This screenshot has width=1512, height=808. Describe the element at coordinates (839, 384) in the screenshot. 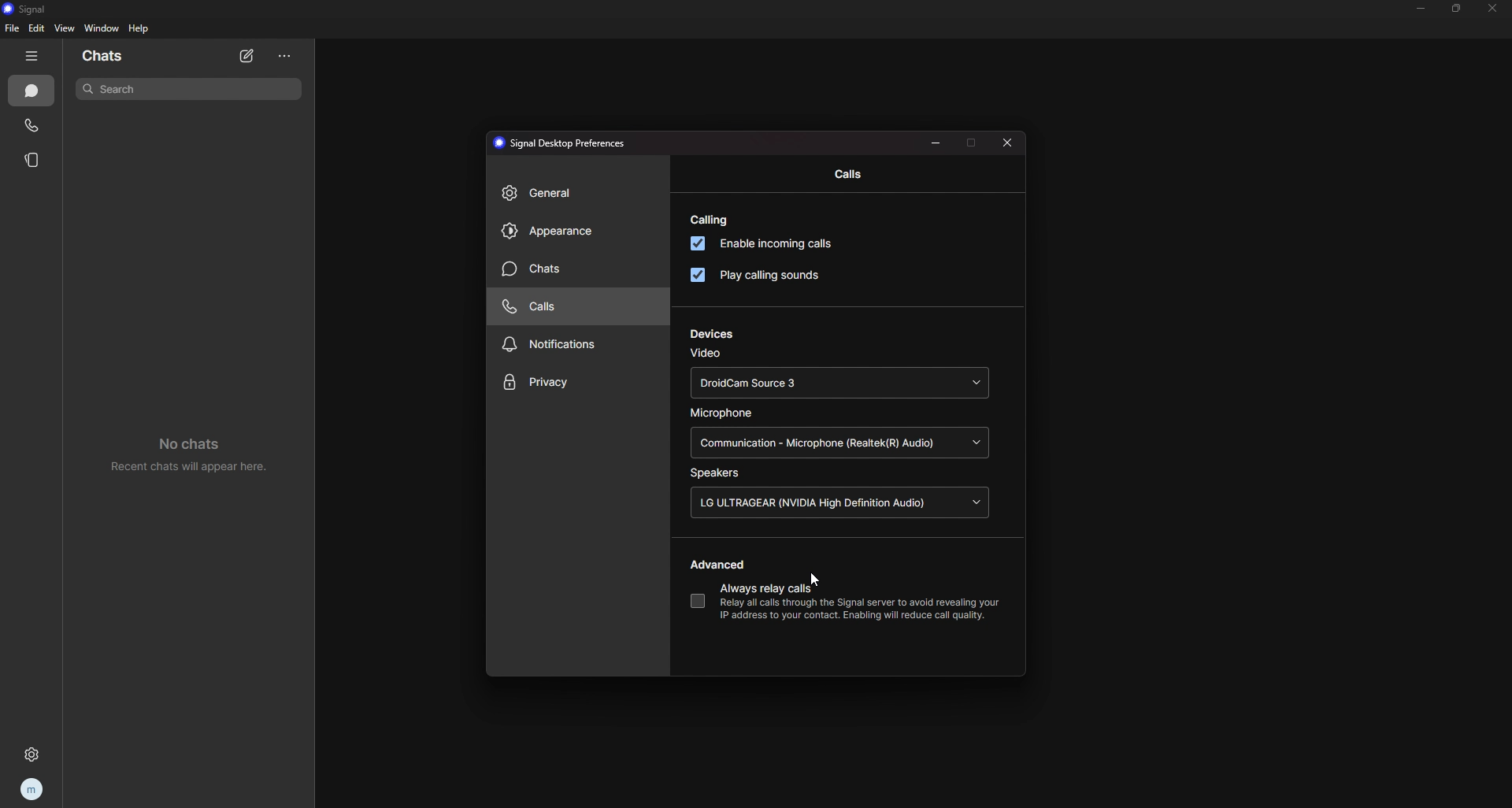

I see `DroidCam Source 3` at that location.